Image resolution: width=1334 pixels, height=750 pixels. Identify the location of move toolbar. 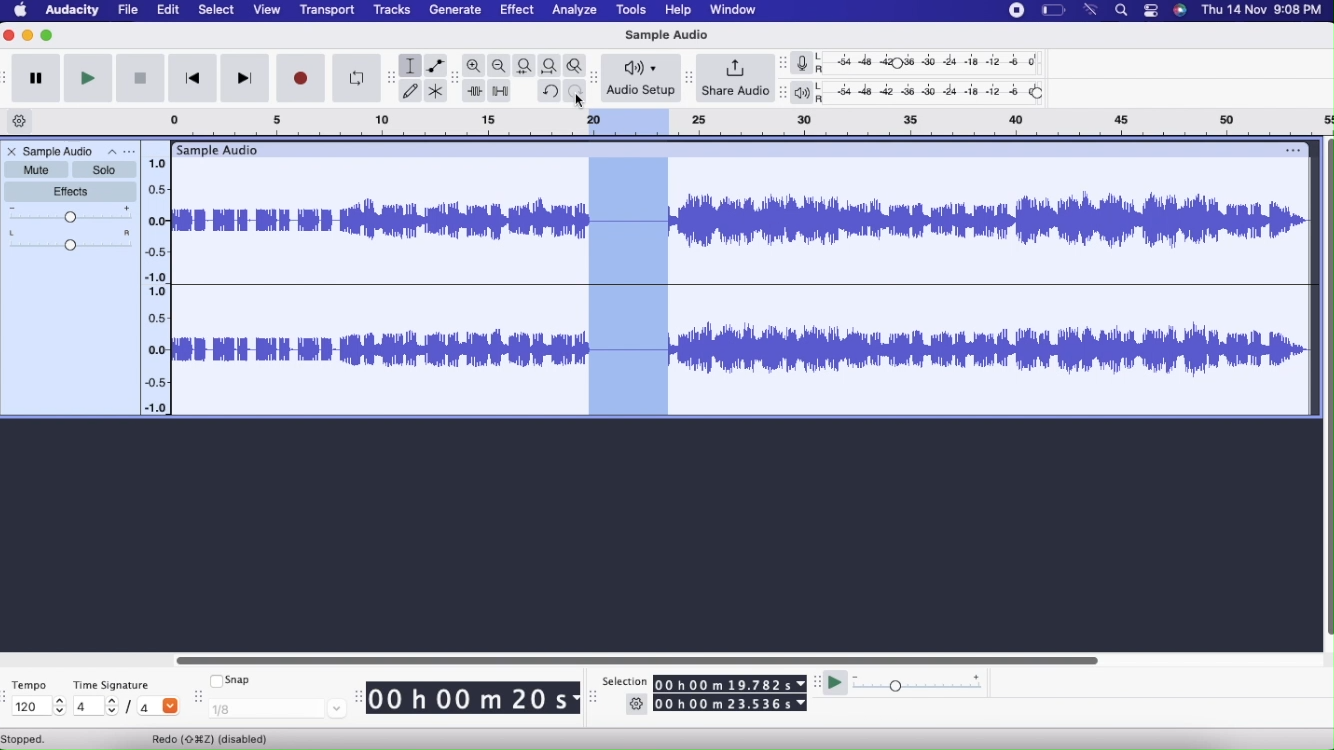
(454, 79).